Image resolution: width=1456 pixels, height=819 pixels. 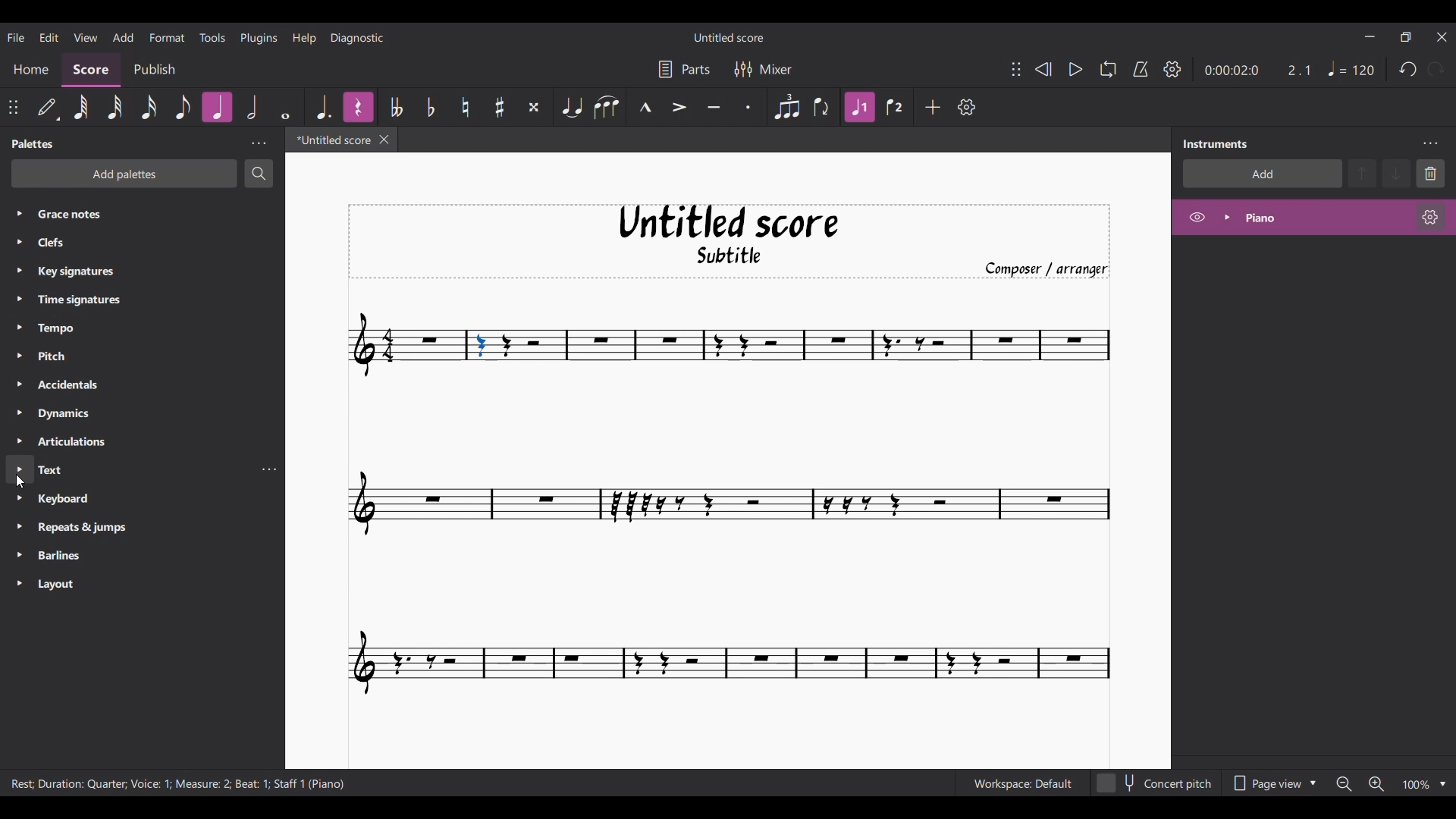 What do you see at coordinates (268, 469) in the screenshot?
I see `Text settings` at bounding box center [268, 469].